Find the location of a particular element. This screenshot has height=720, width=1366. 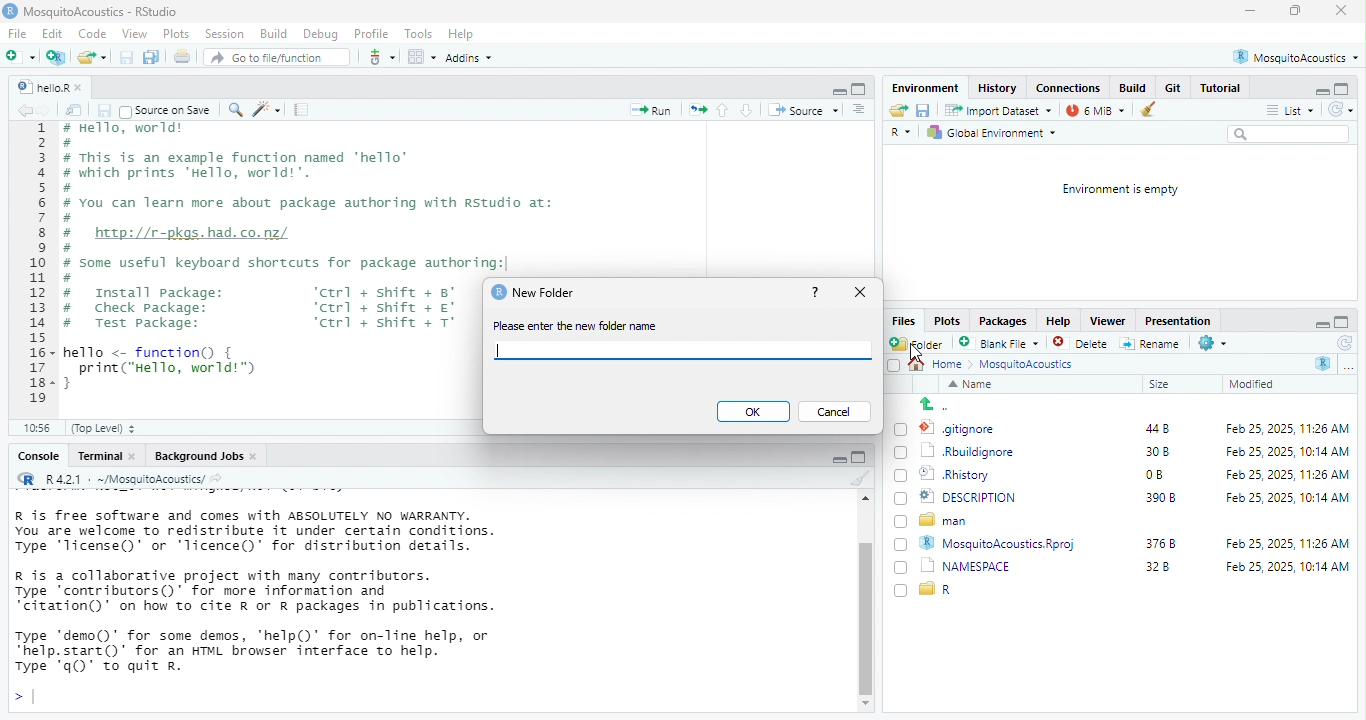

Please enter the new folder name is located at coordinates (584, 326).